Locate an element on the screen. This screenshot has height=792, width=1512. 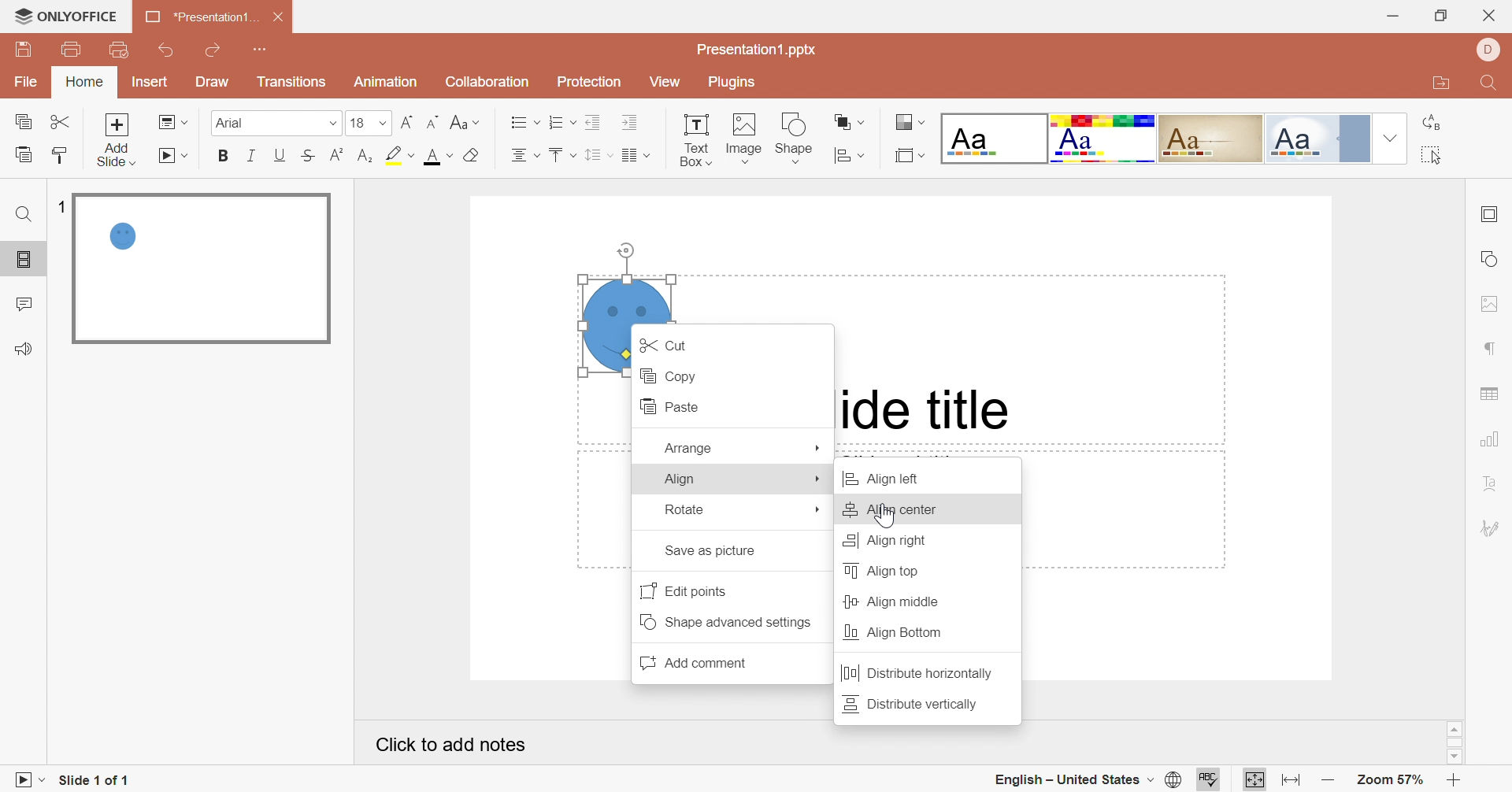
Slides is located at coordinates (27, 261).